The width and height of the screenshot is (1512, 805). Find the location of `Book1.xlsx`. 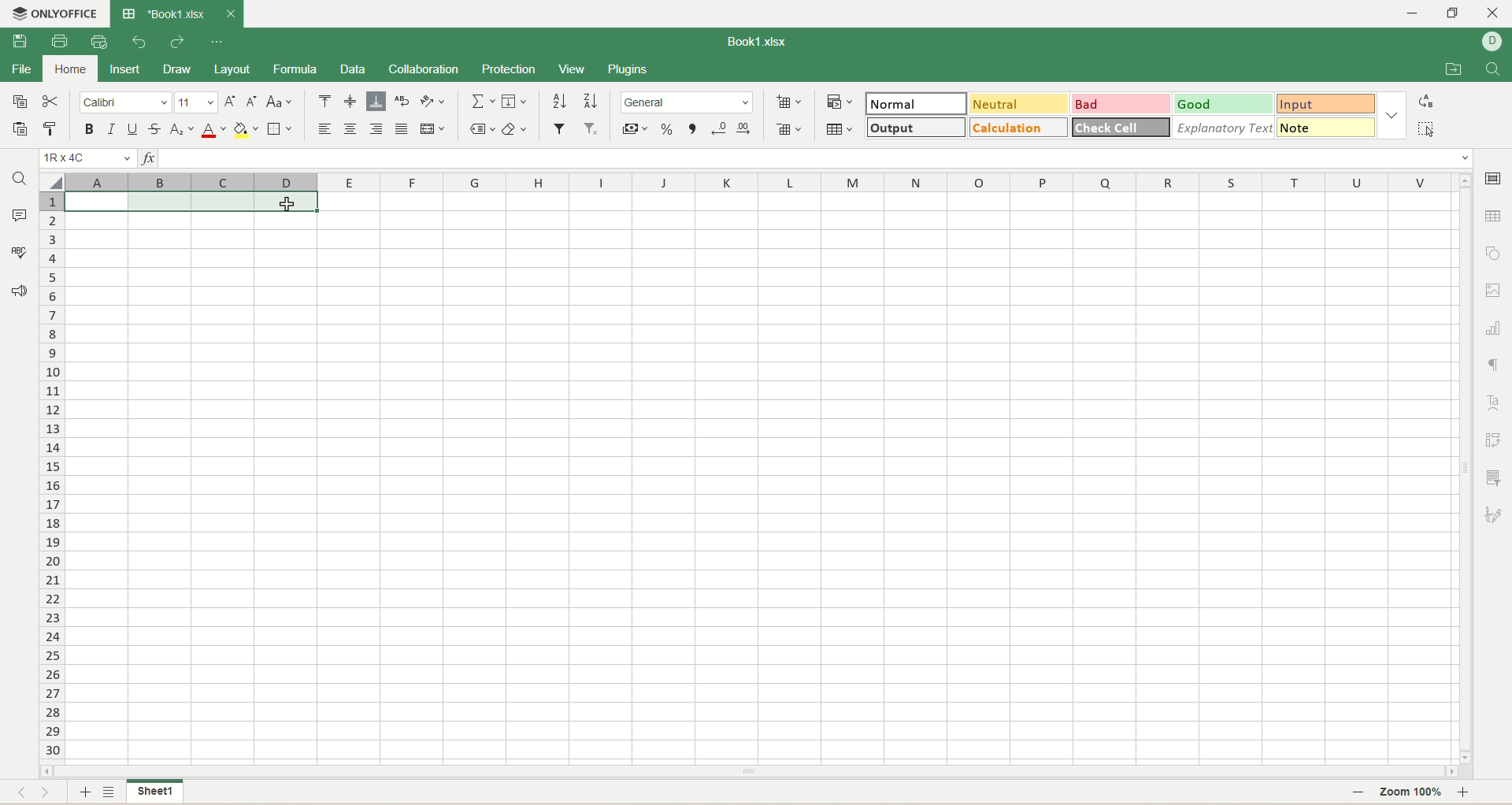

Book1.xlsx is located at coordinates (163, 14).